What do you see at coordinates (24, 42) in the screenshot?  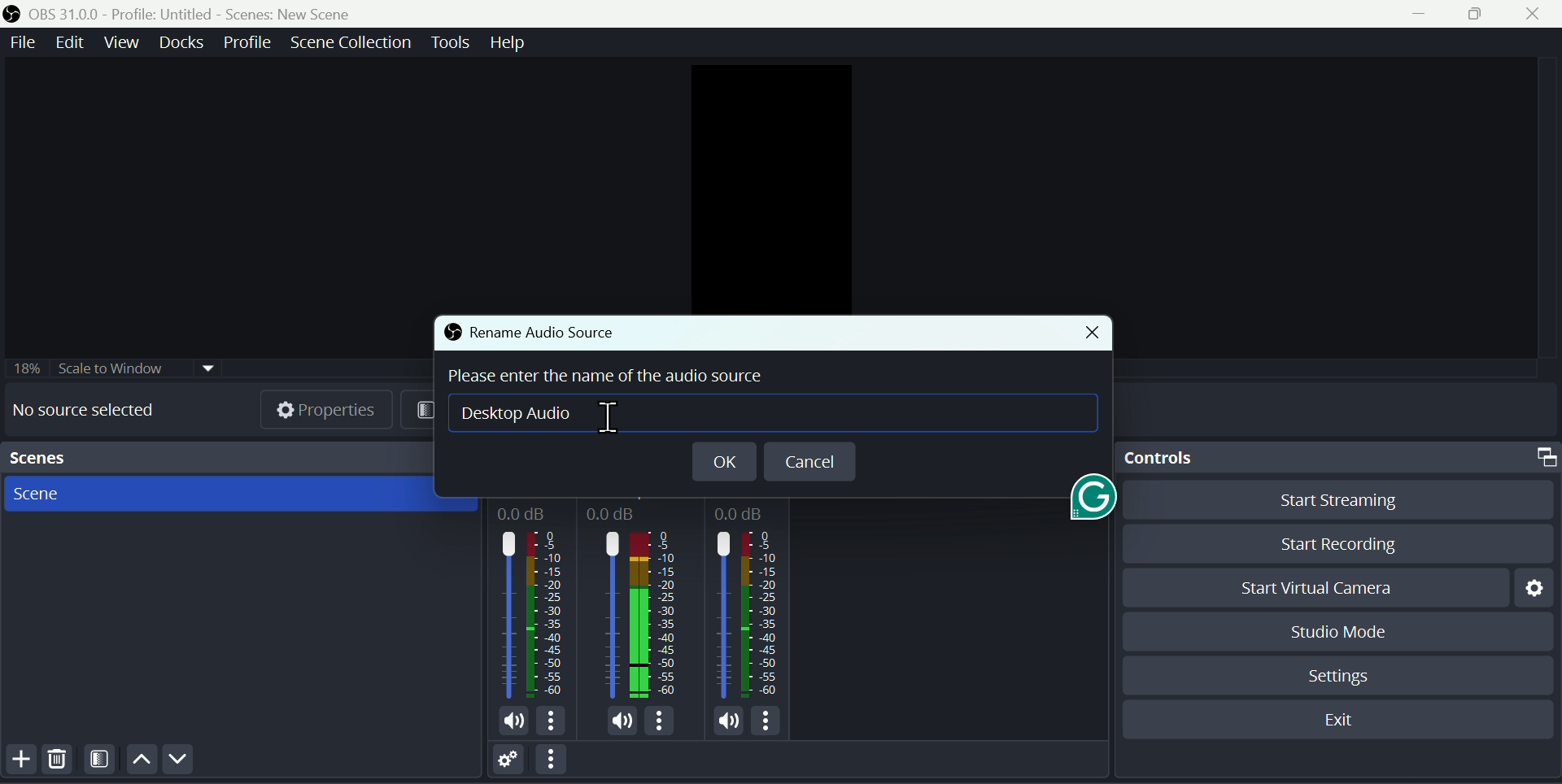 I see `File` at bounding box center [24, 42].